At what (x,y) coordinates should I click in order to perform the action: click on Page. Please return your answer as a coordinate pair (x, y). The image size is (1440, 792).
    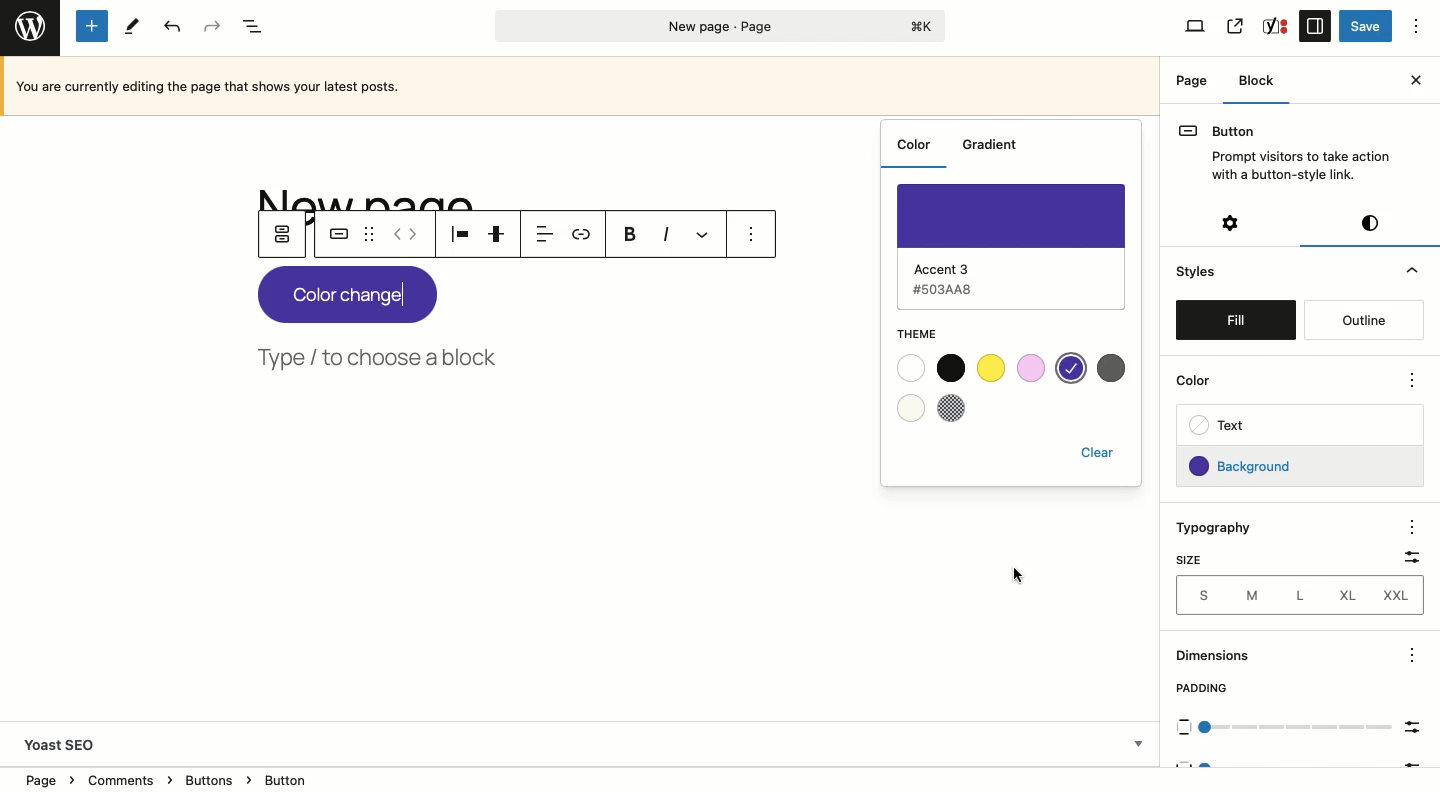
    Looking at the image, I should click on (721, 26).